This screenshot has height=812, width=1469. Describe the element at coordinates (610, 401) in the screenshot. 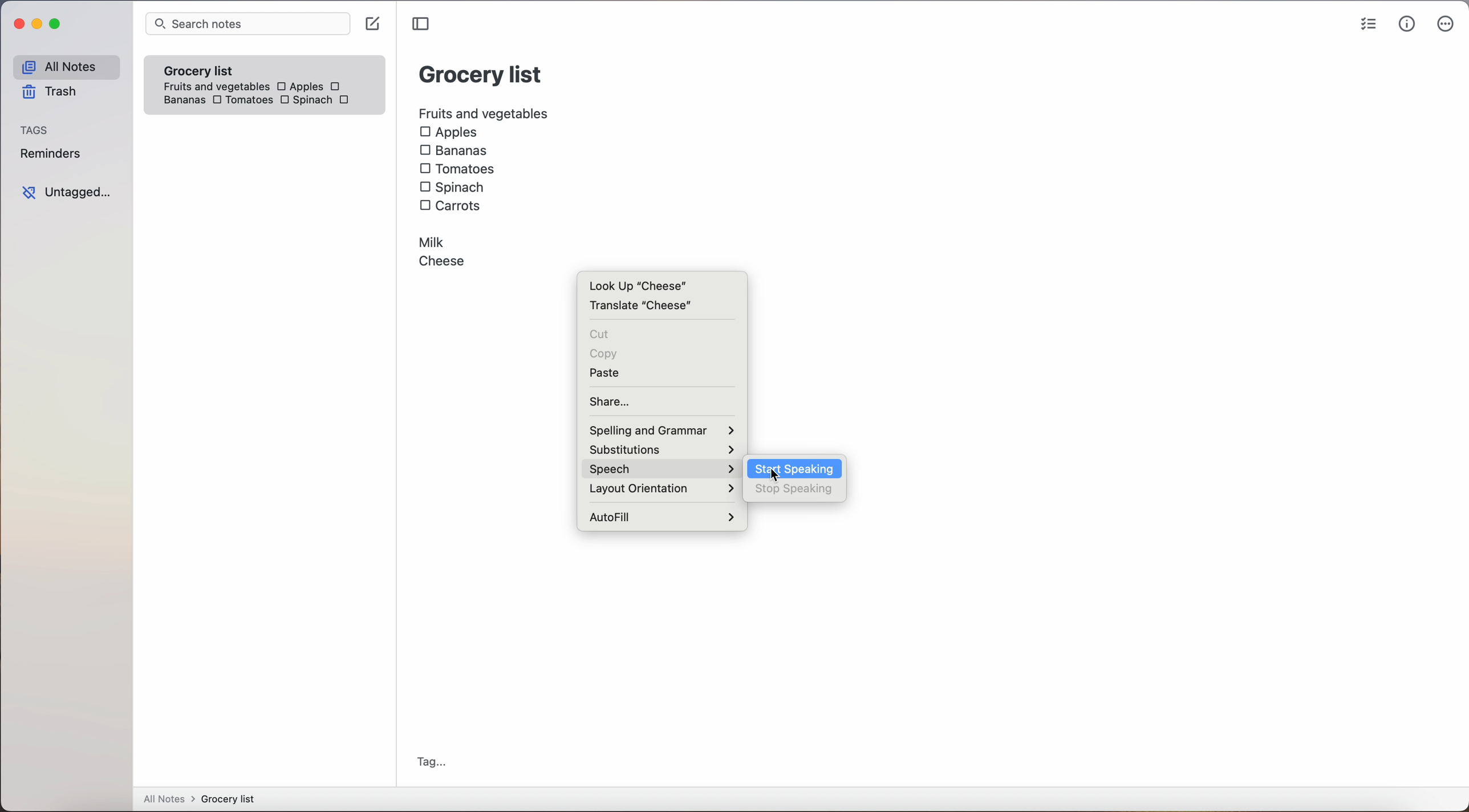

I see `share` at that location.